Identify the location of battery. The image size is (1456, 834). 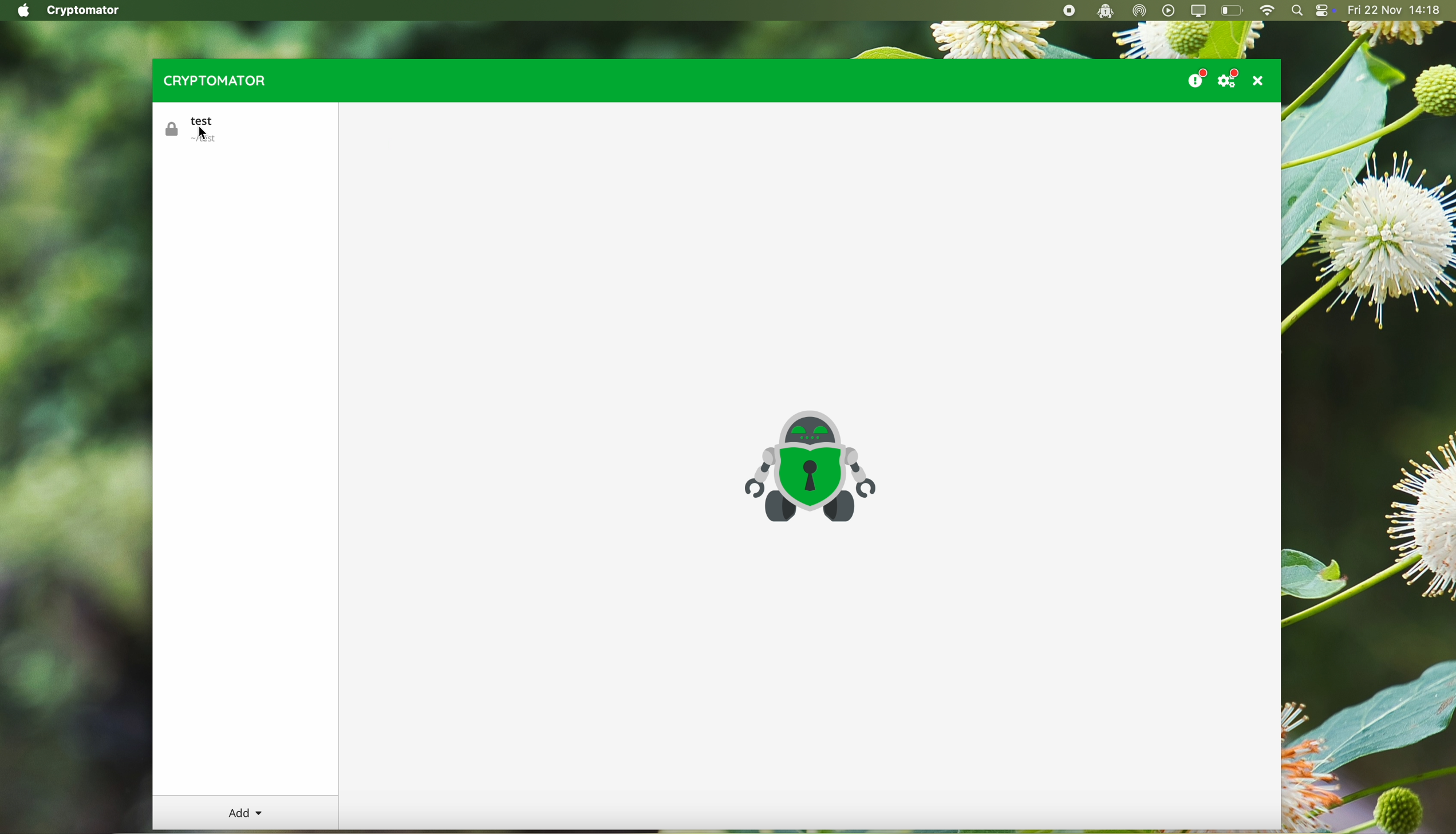
(1233, 11).